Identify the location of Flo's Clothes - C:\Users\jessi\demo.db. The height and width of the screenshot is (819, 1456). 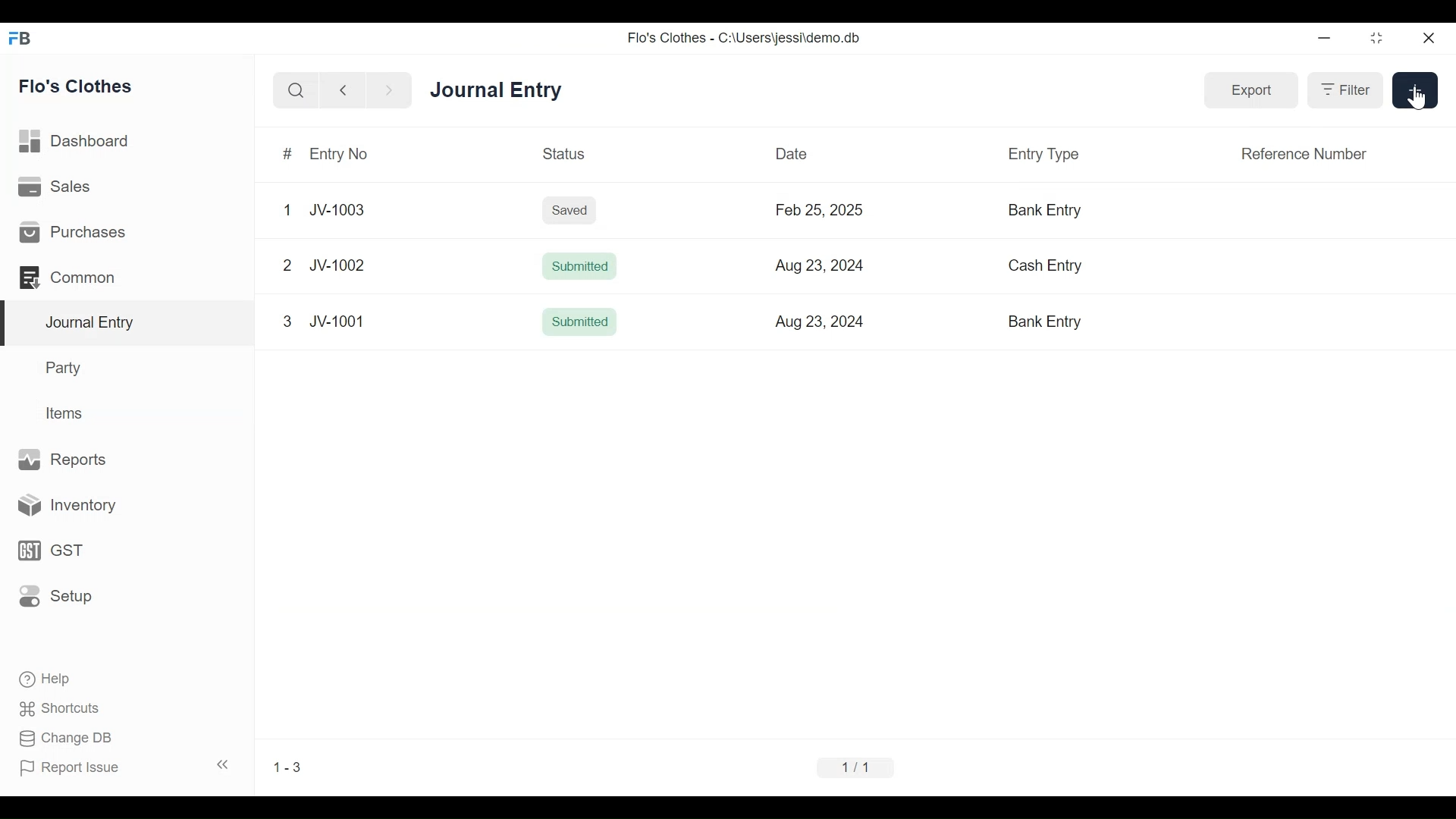
(746, 38).